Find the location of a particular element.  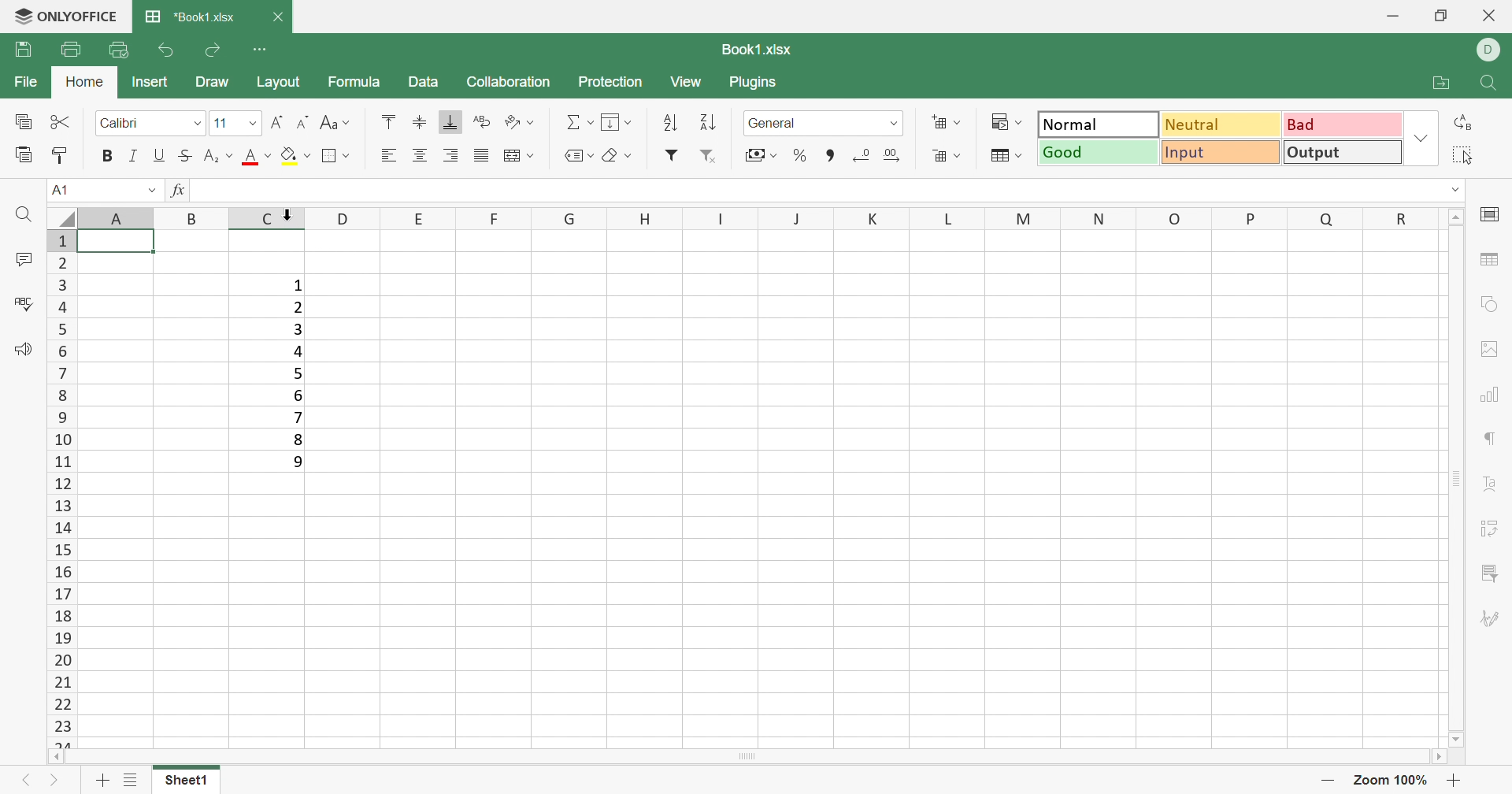

Summation is located at coordinates (576, 124).